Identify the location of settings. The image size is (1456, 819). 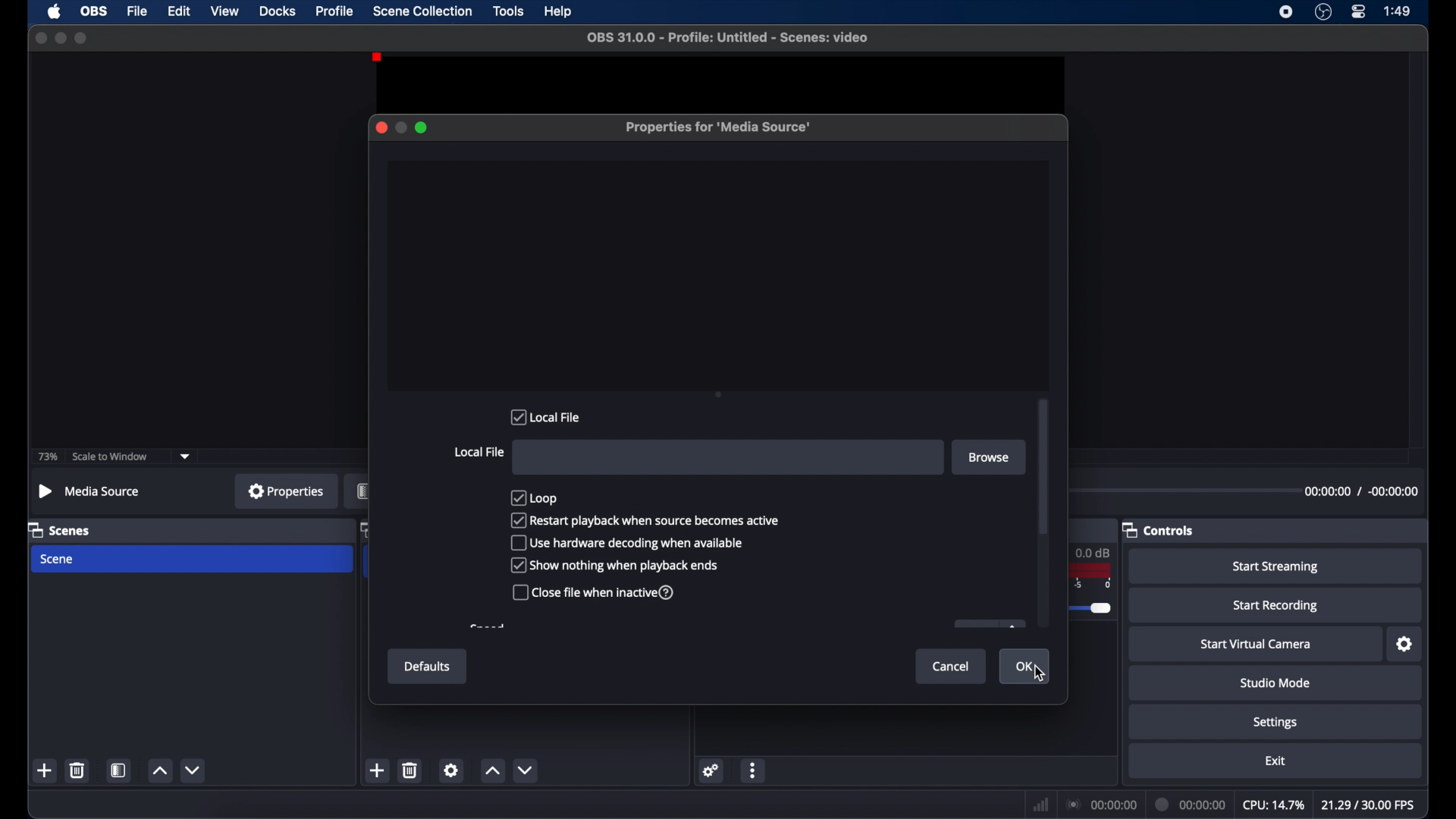
(1405, 644).